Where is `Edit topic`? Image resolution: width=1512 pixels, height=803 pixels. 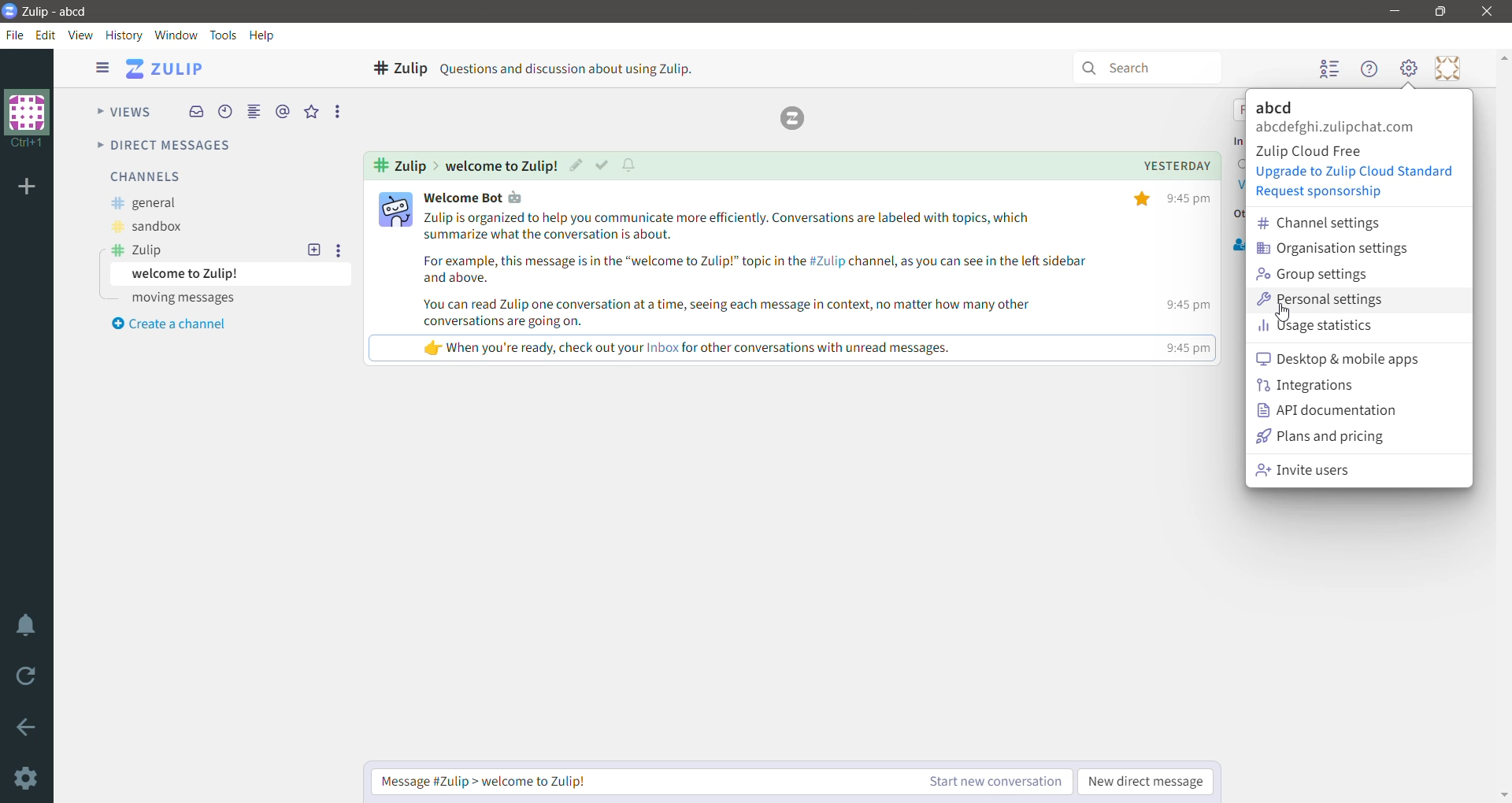 Edit topic is located at coordinates (578, 164).